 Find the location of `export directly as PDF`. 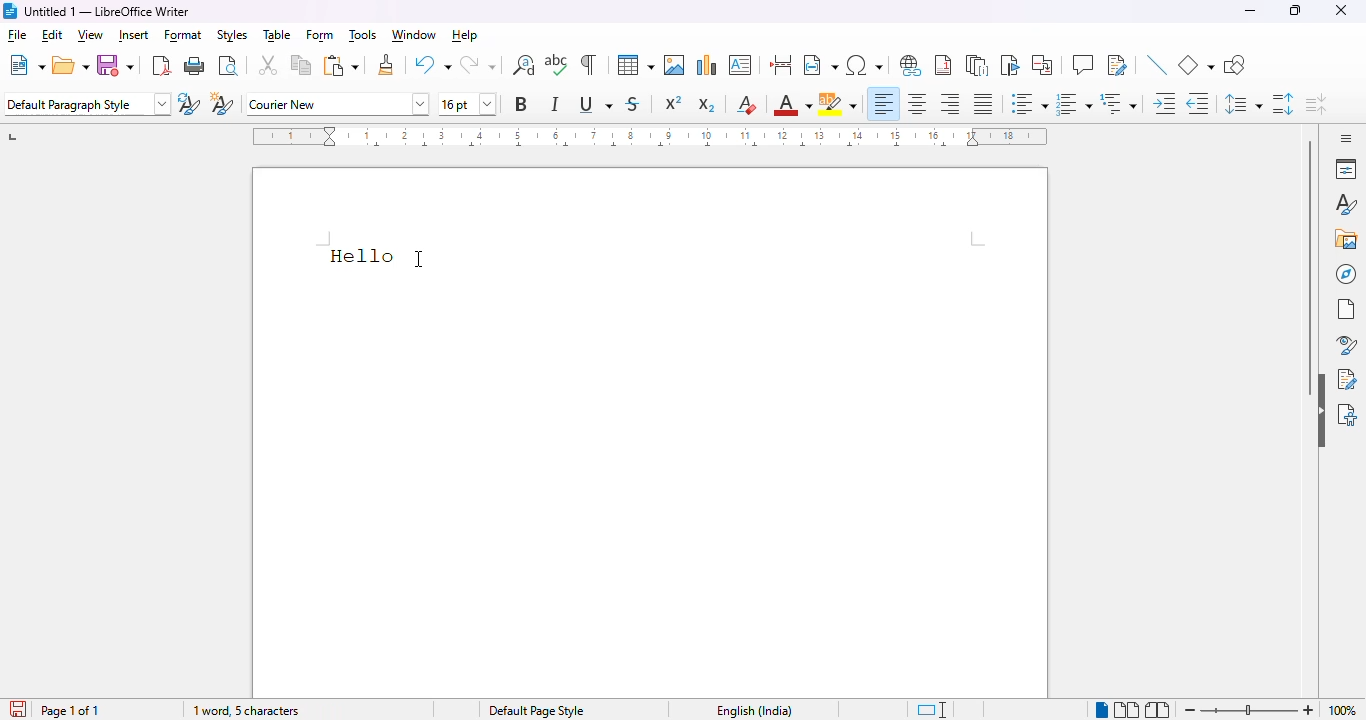

export directly as PDF is located at coordinates (162, 65).